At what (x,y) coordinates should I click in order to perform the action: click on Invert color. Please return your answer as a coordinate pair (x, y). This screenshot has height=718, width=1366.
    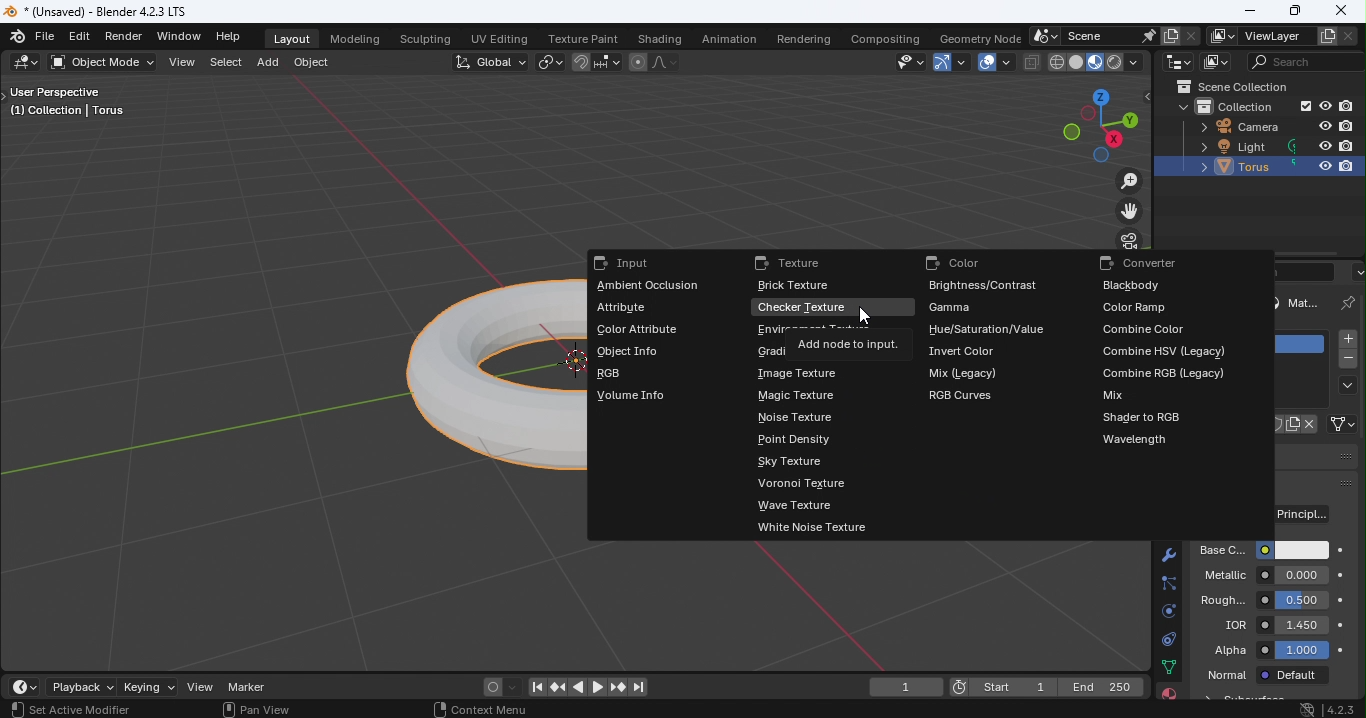
    Looking at the image, I should click on (968, 352).